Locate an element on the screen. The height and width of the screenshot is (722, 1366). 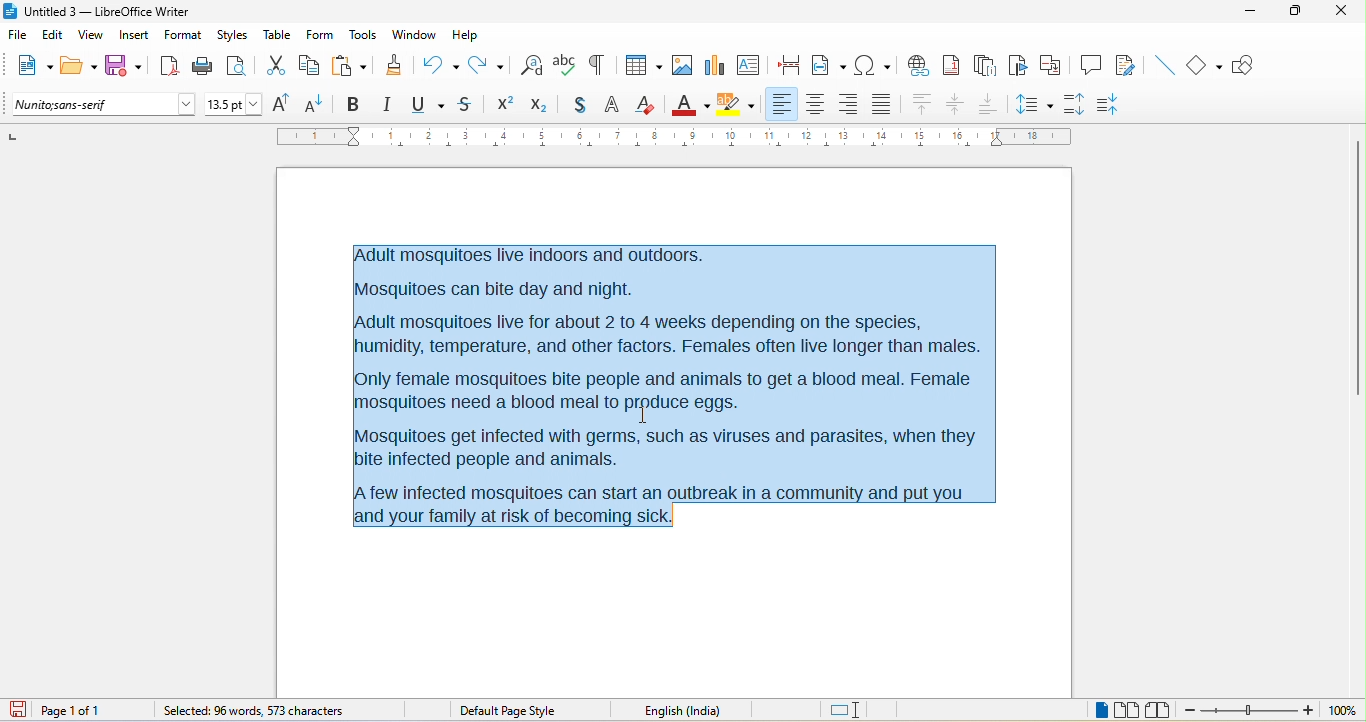
book view is located at coordinates (1157, 709).